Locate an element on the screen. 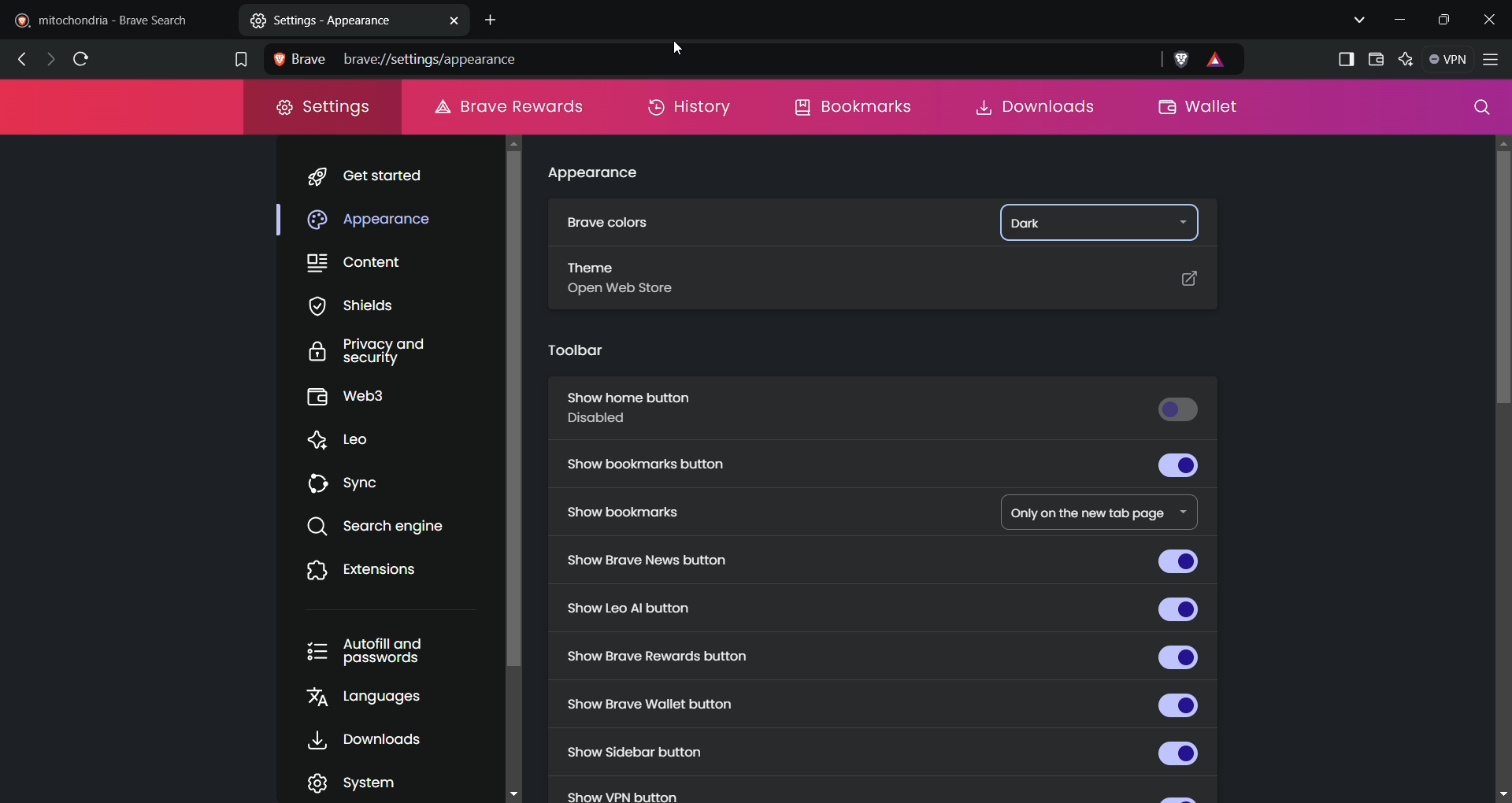 The image size is (1512, 803). settings is located at coordinates (322, 109).